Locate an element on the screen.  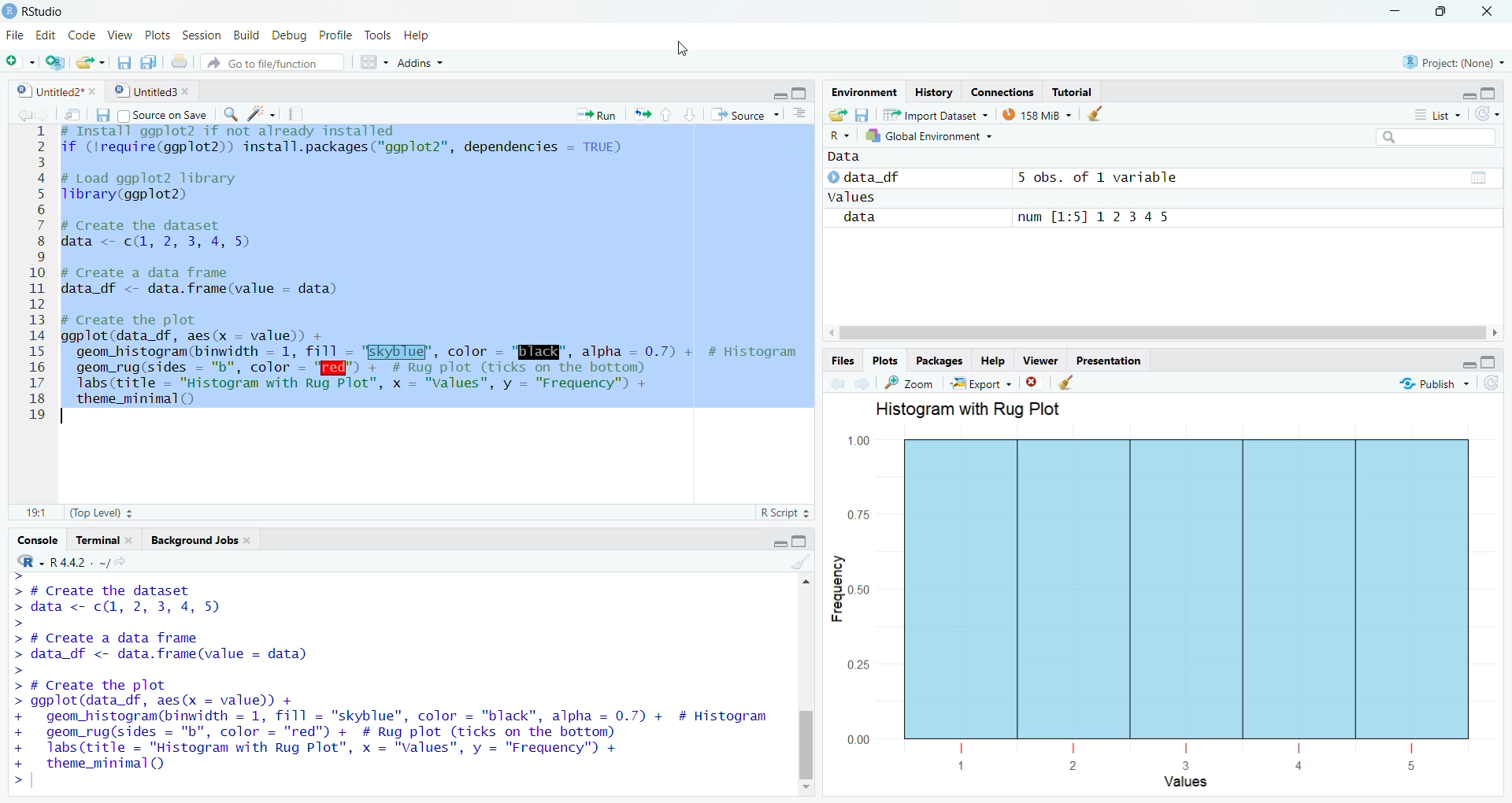
Packages is located at coordinates (934, 360).